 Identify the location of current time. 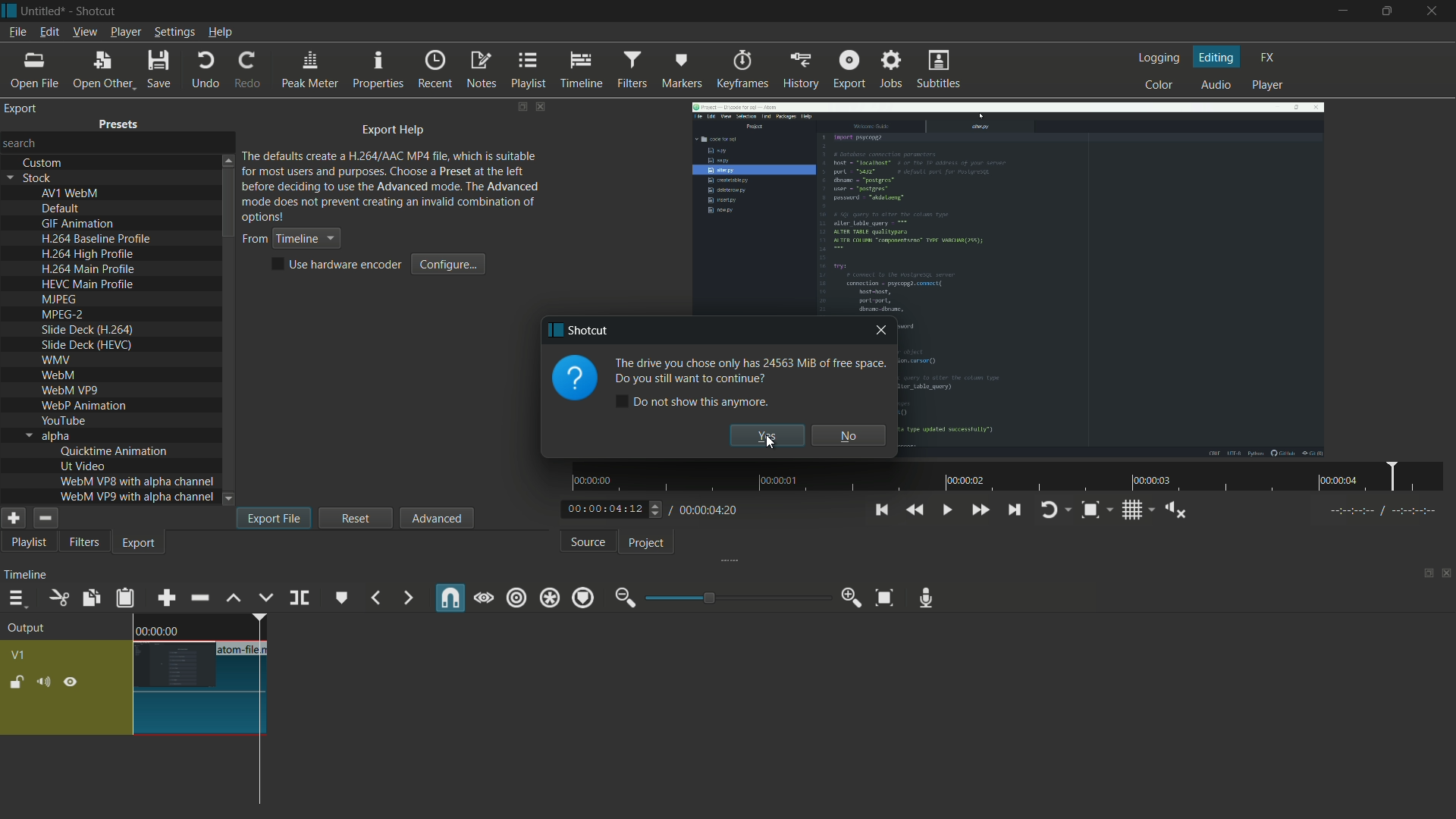
(602, 509).